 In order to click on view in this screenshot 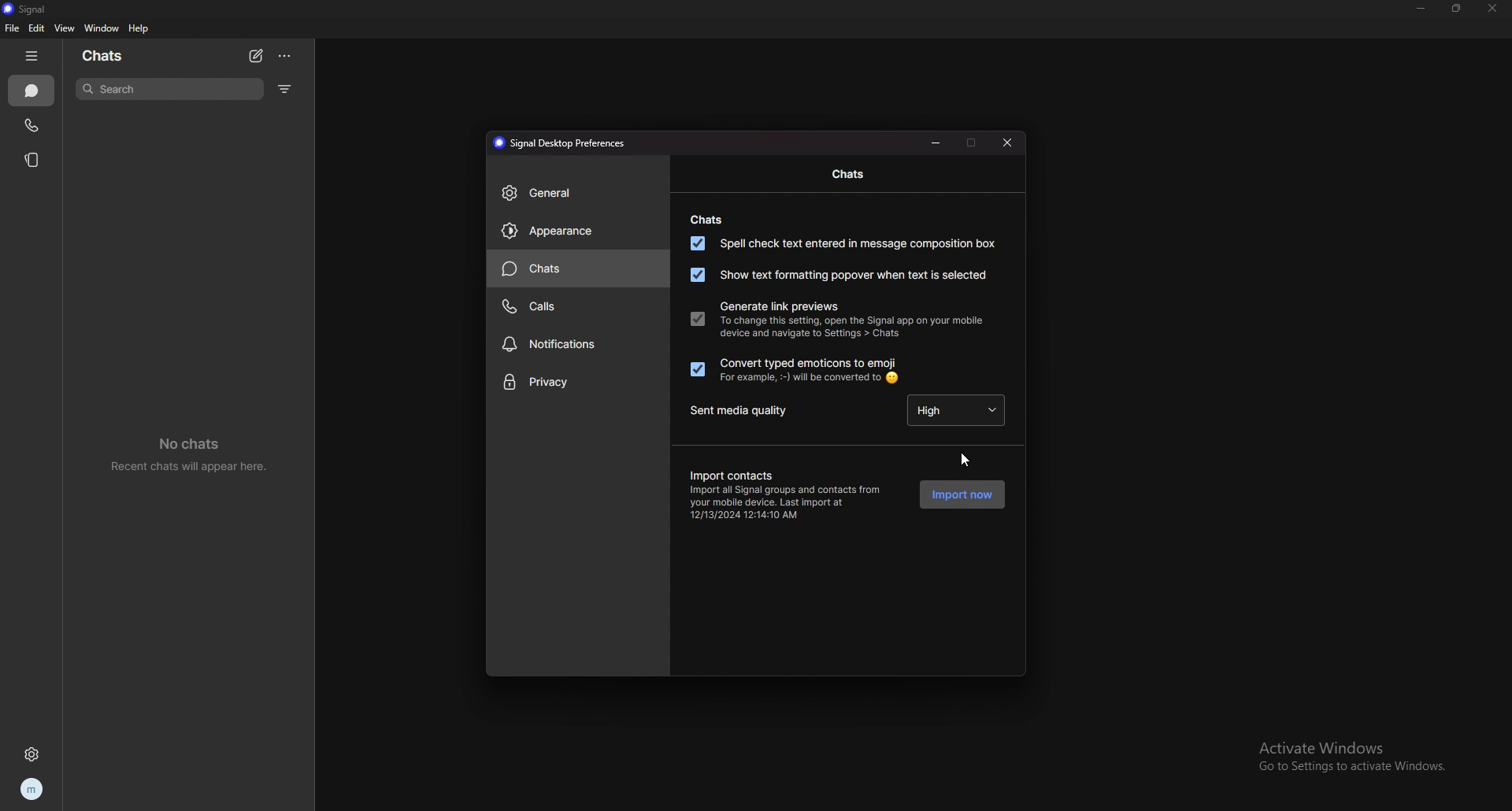, I will do `click(65, 28)`.